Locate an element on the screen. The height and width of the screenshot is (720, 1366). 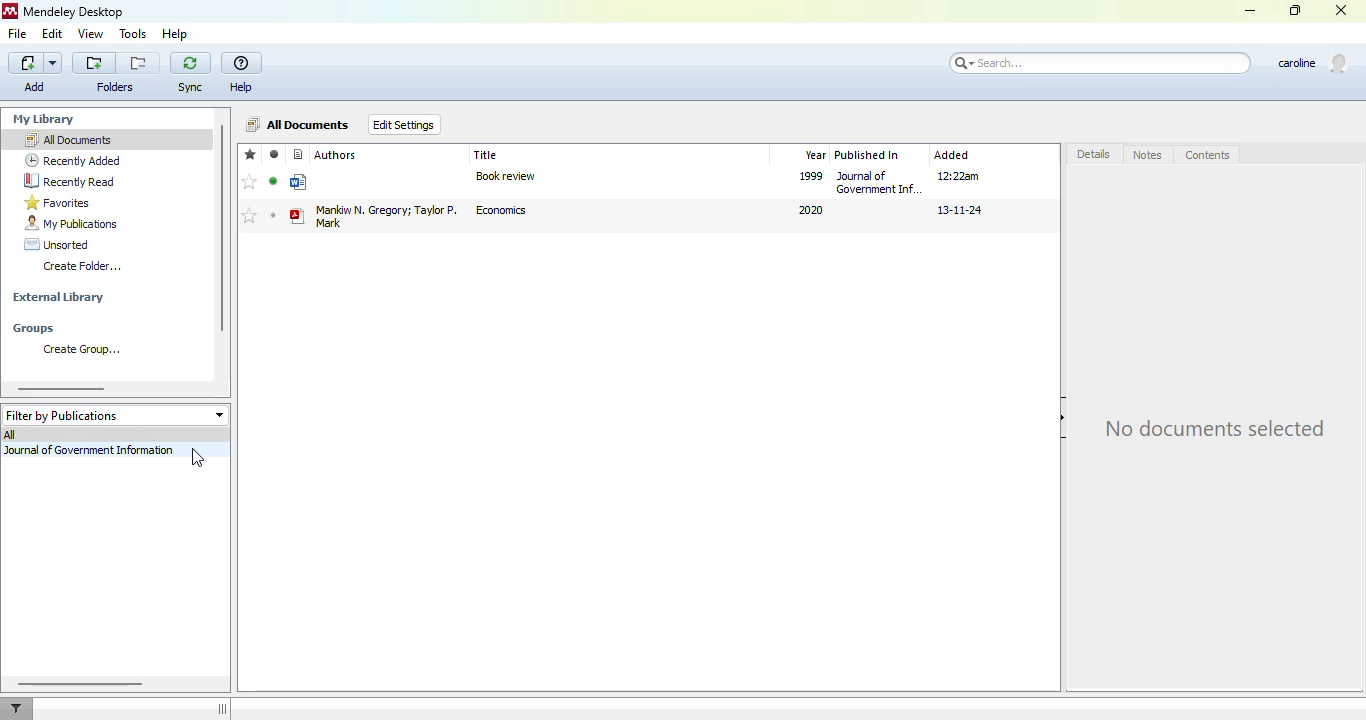
added is located at coordinates (952, 155).